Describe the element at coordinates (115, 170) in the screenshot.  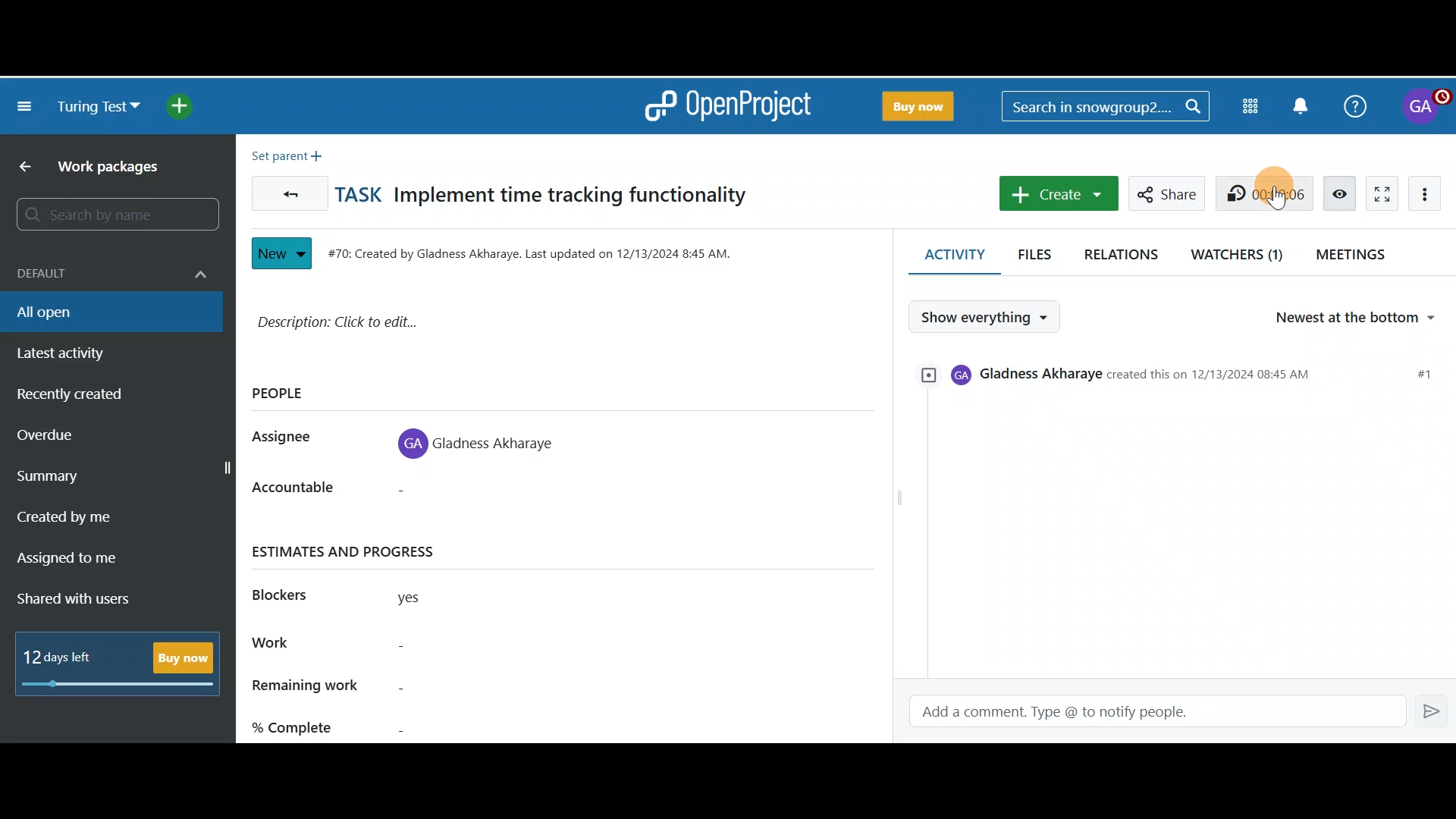
I see `Work packages` at that location.